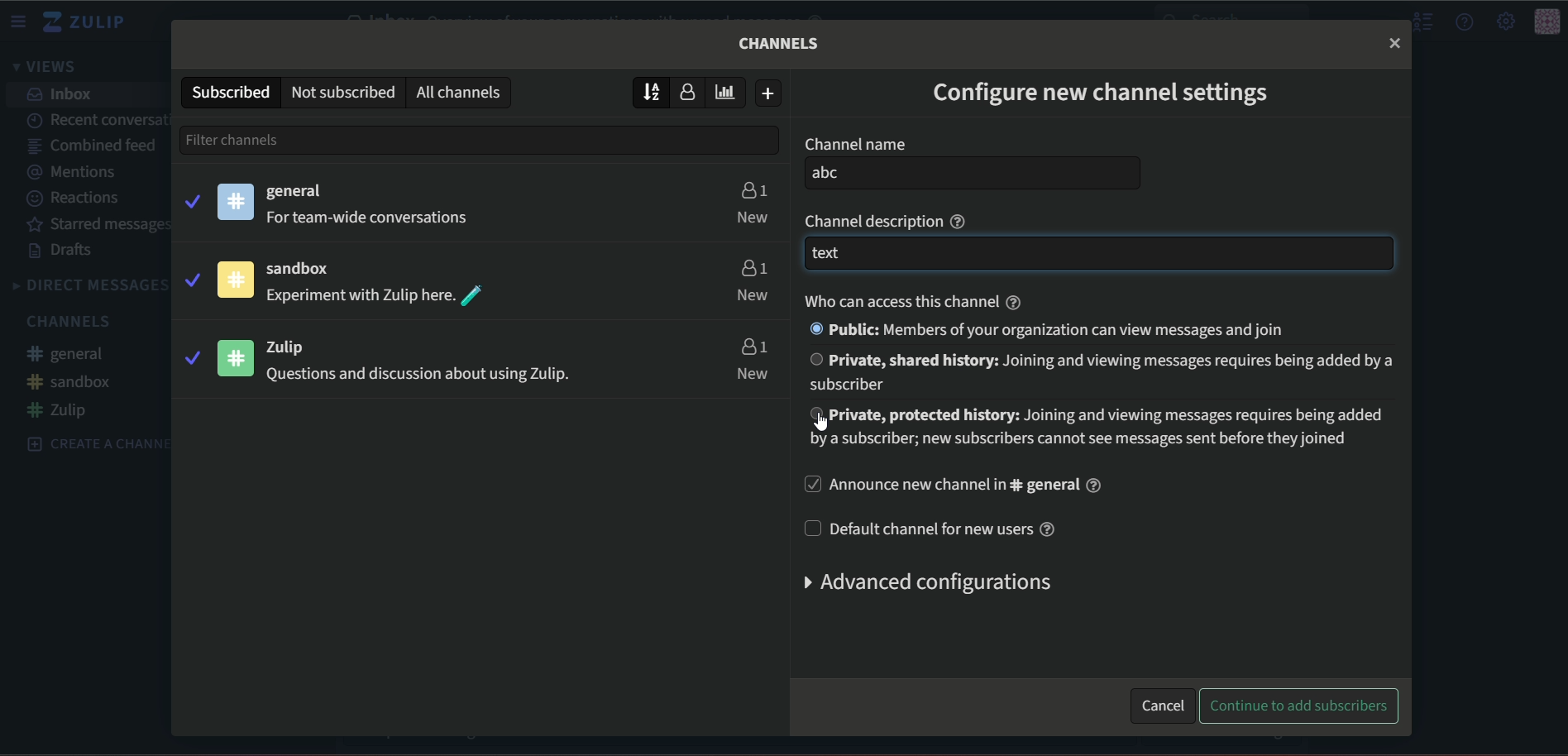 The image size is (1568, 756). Describe the element at coordinates (190, 357) in the screenshot. I see `tick` at that location.